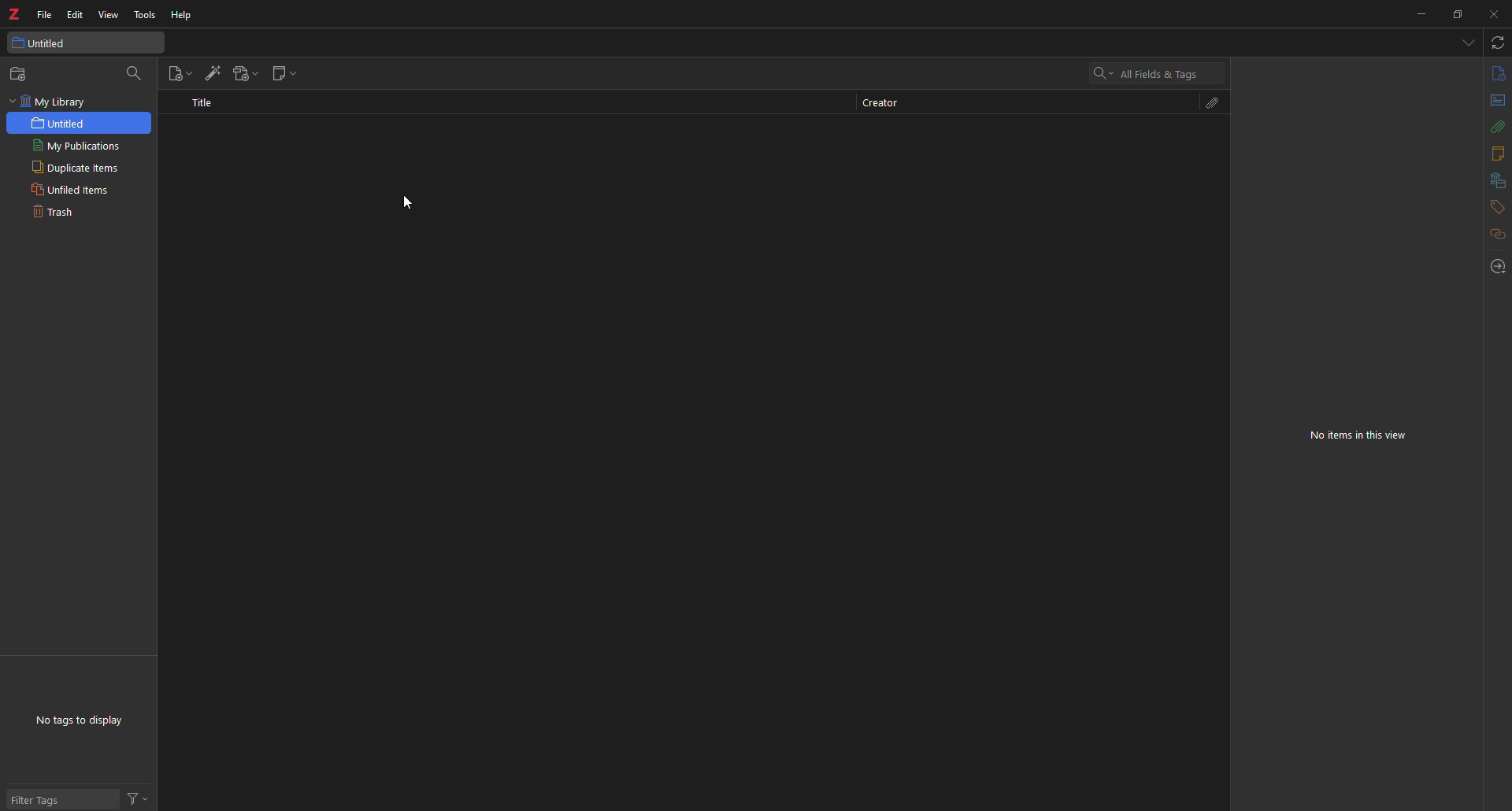 This screenshot has width=1512, height=811. Describe the element at coordinates (1460, 13) in the screenshot. I see `maximize` at that location.